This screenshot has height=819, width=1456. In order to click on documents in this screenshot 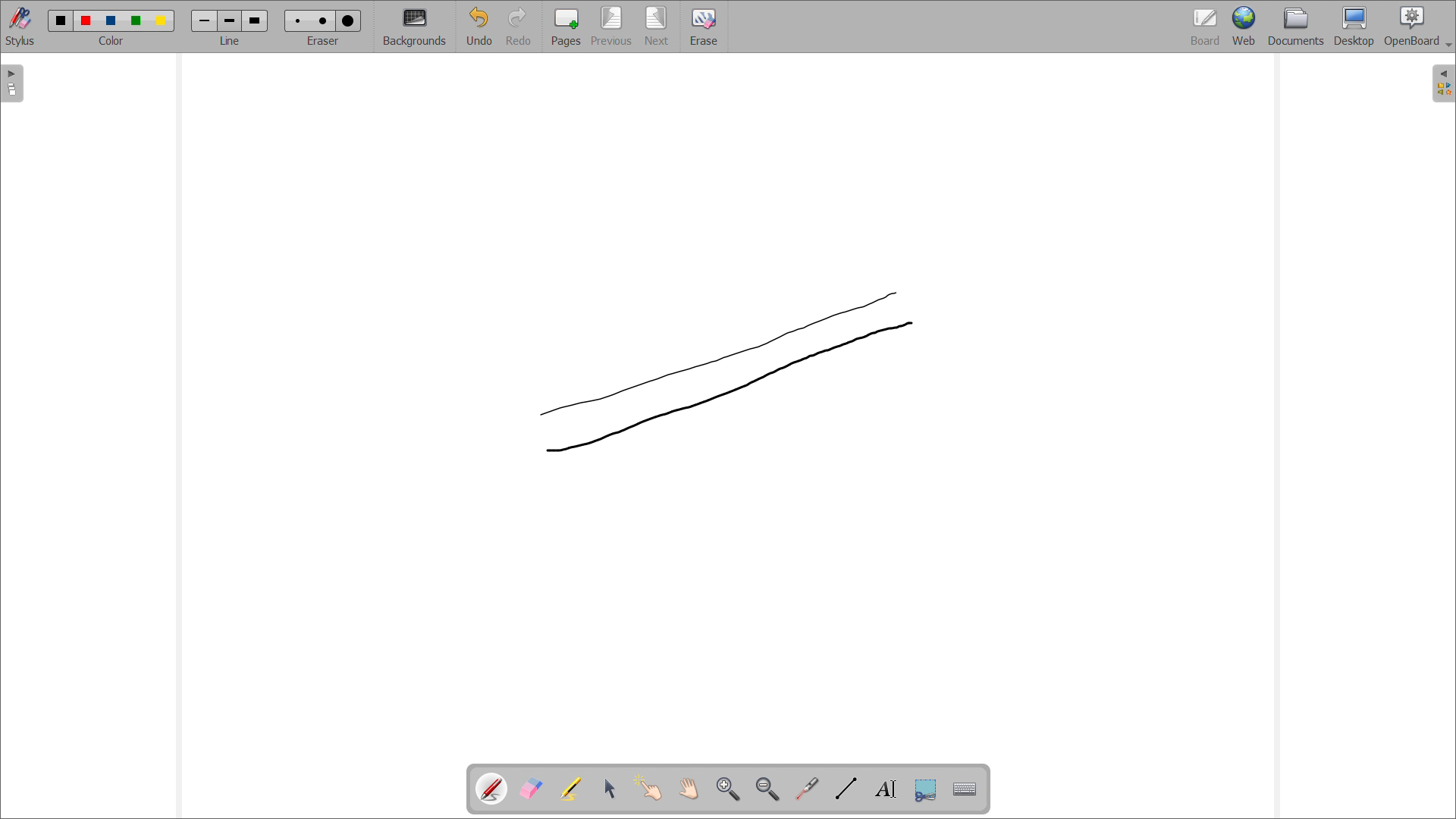, I will do `click(1296, 27)`.